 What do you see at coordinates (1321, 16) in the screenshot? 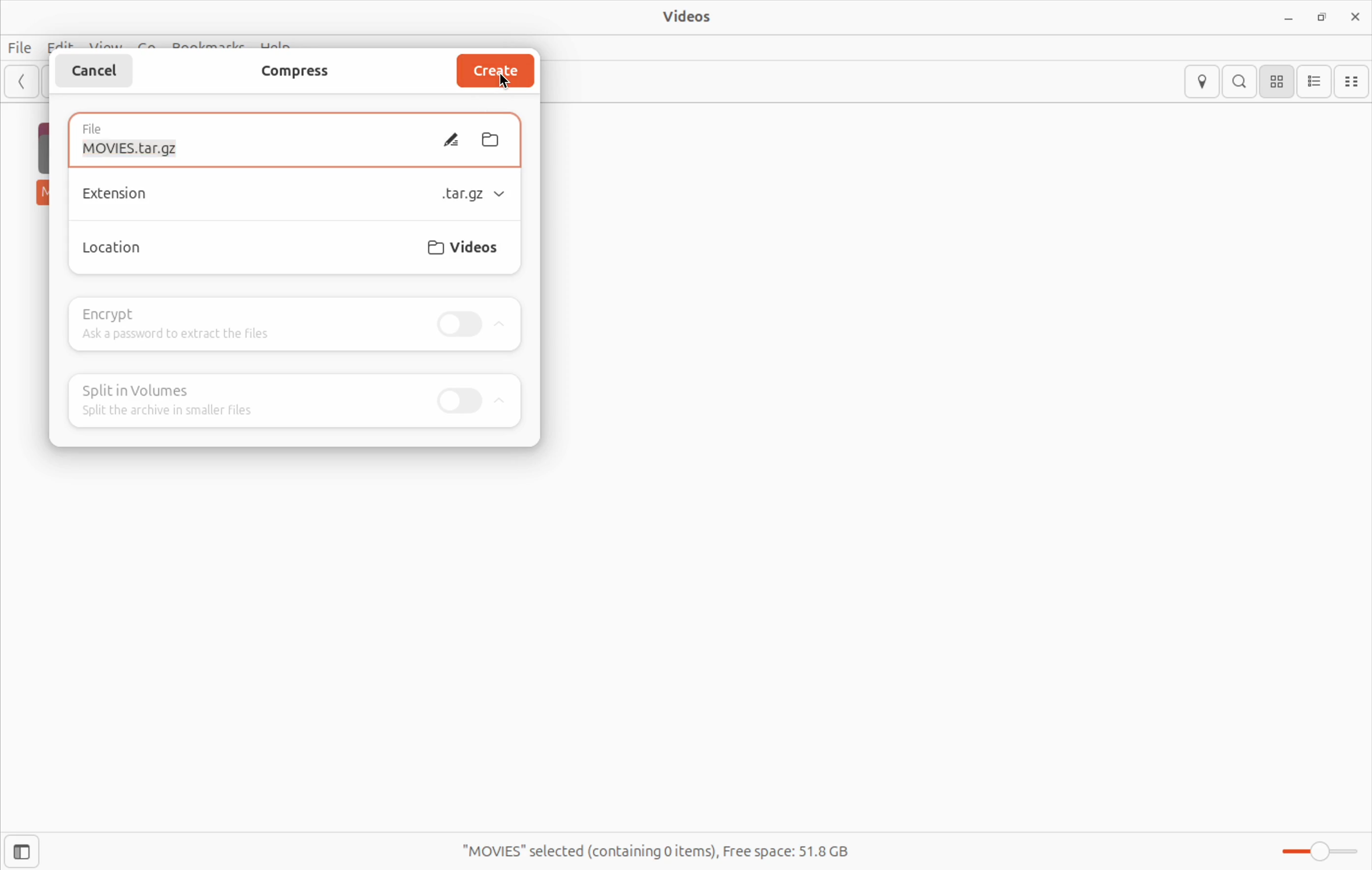
I see `resize` at bounding box center [1321, 16].